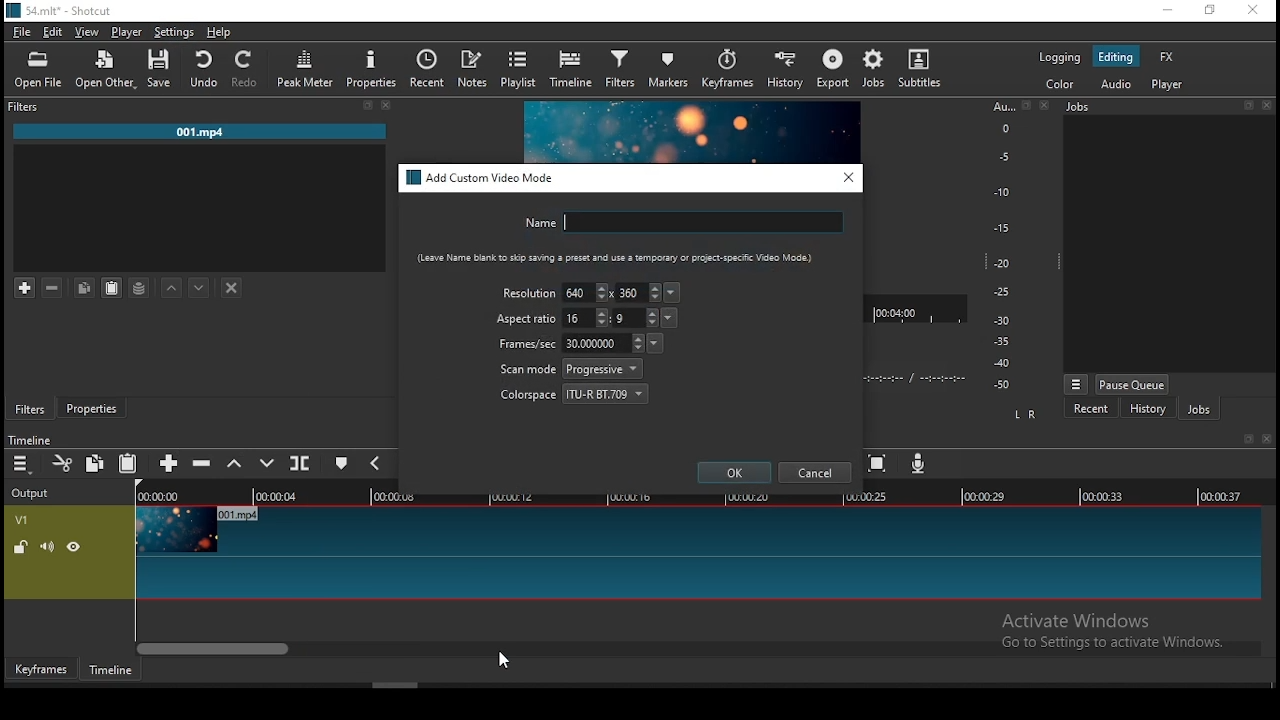 The height and width of the screenshot is (720, 1280). What do you see at coordinates (90, 405) in the screenshot?
I see `properties` at bounding box center [90, 405].